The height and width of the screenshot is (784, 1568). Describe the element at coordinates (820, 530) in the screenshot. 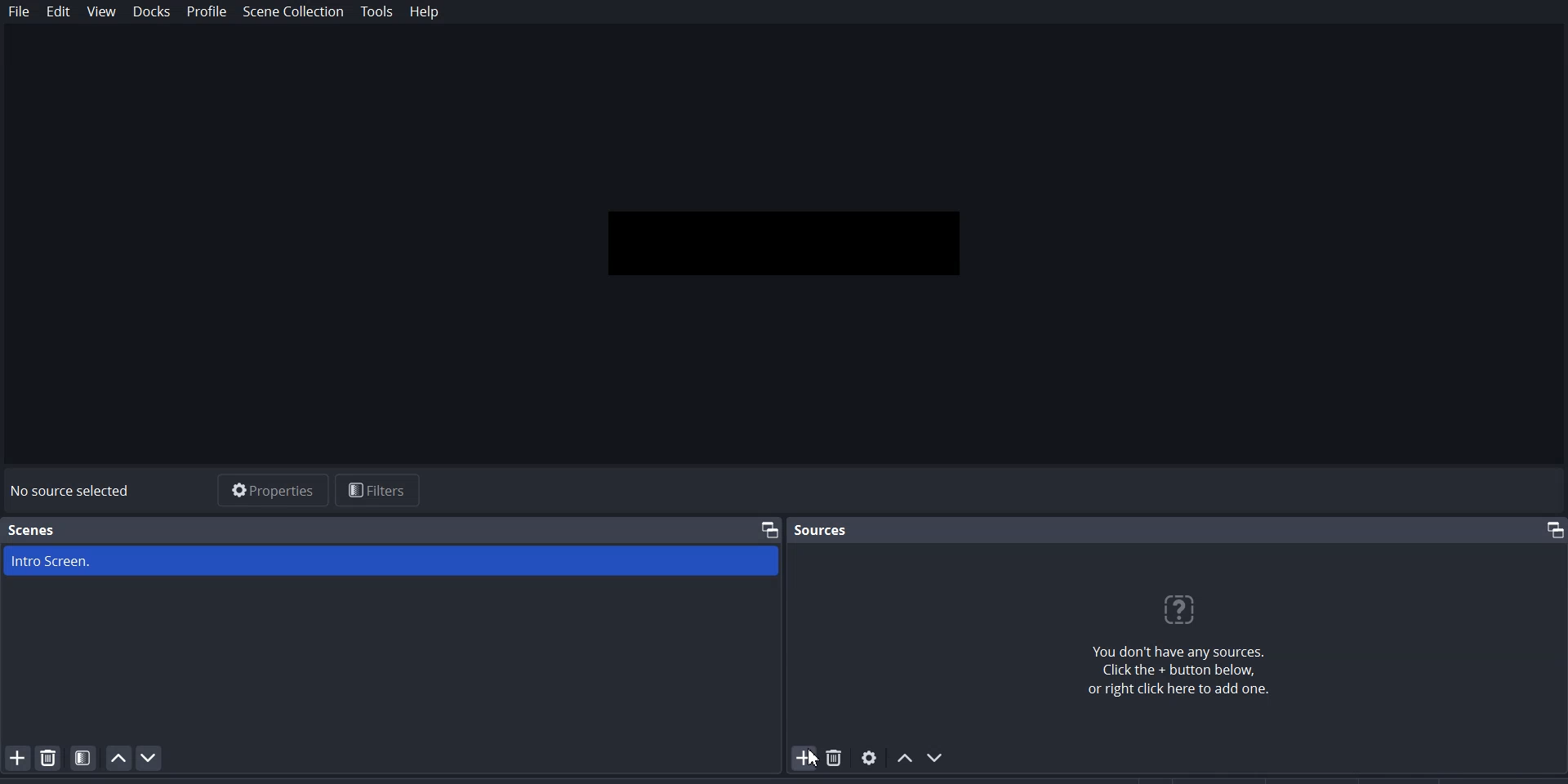

I see `Source` at that location.